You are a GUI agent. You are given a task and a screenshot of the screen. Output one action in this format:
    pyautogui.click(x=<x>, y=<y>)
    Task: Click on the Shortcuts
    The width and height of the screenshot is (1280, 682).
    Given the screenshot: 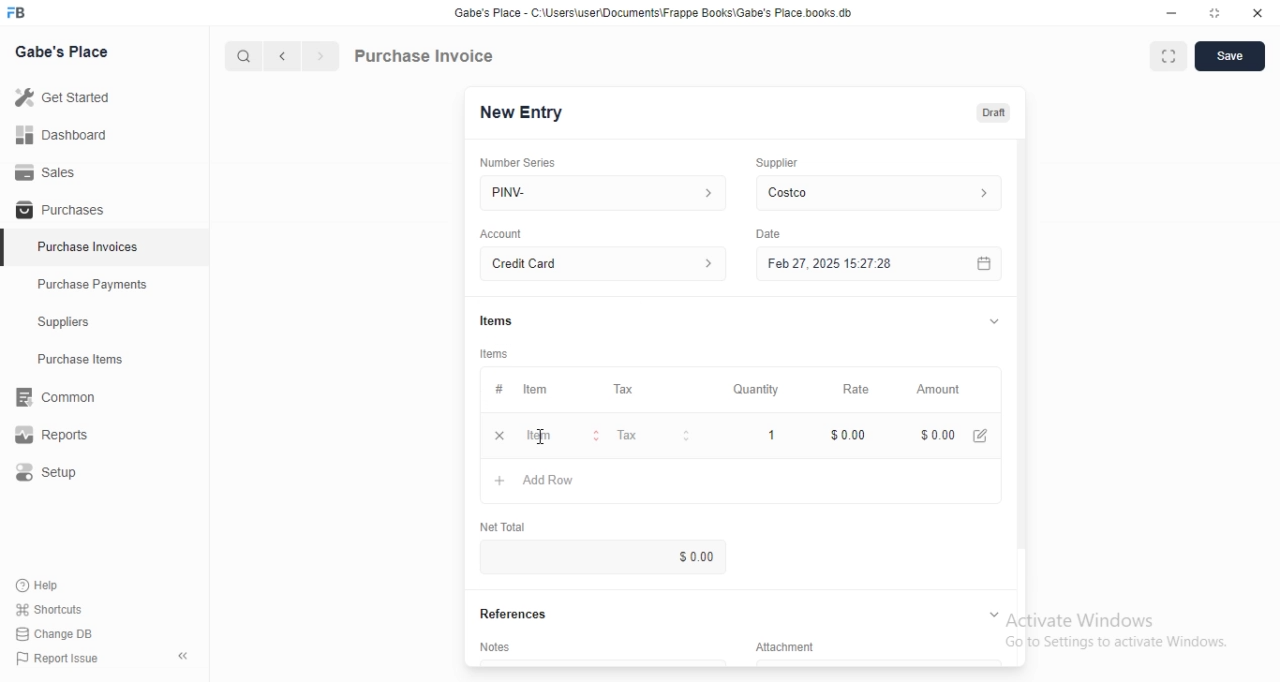 What is the action you would take?
    pyautogui.click(x=50, y=609)
    